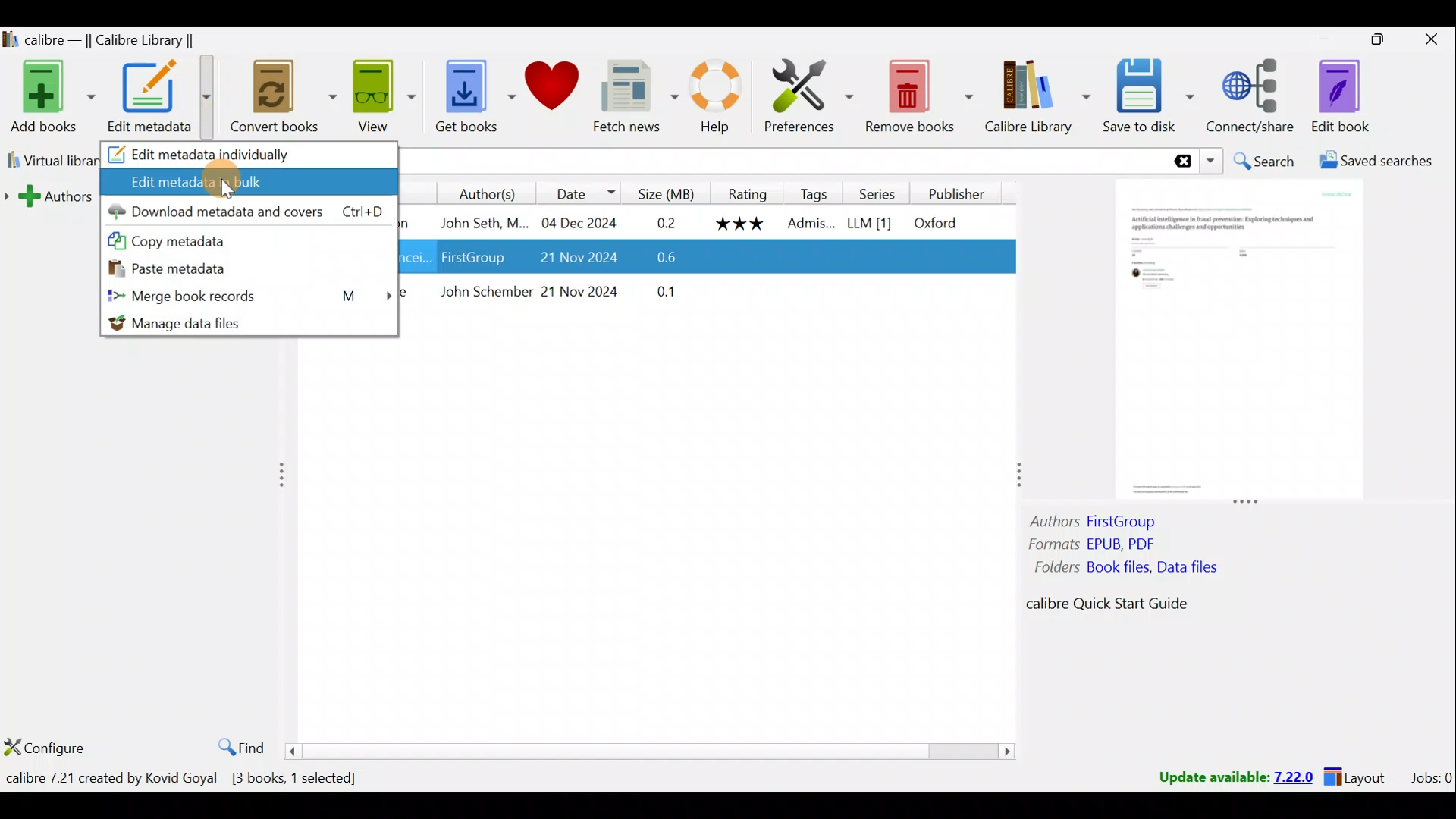  Describe the element at coordinates (181, 268) in the screenshot. I see `Paste metadata` at that location.